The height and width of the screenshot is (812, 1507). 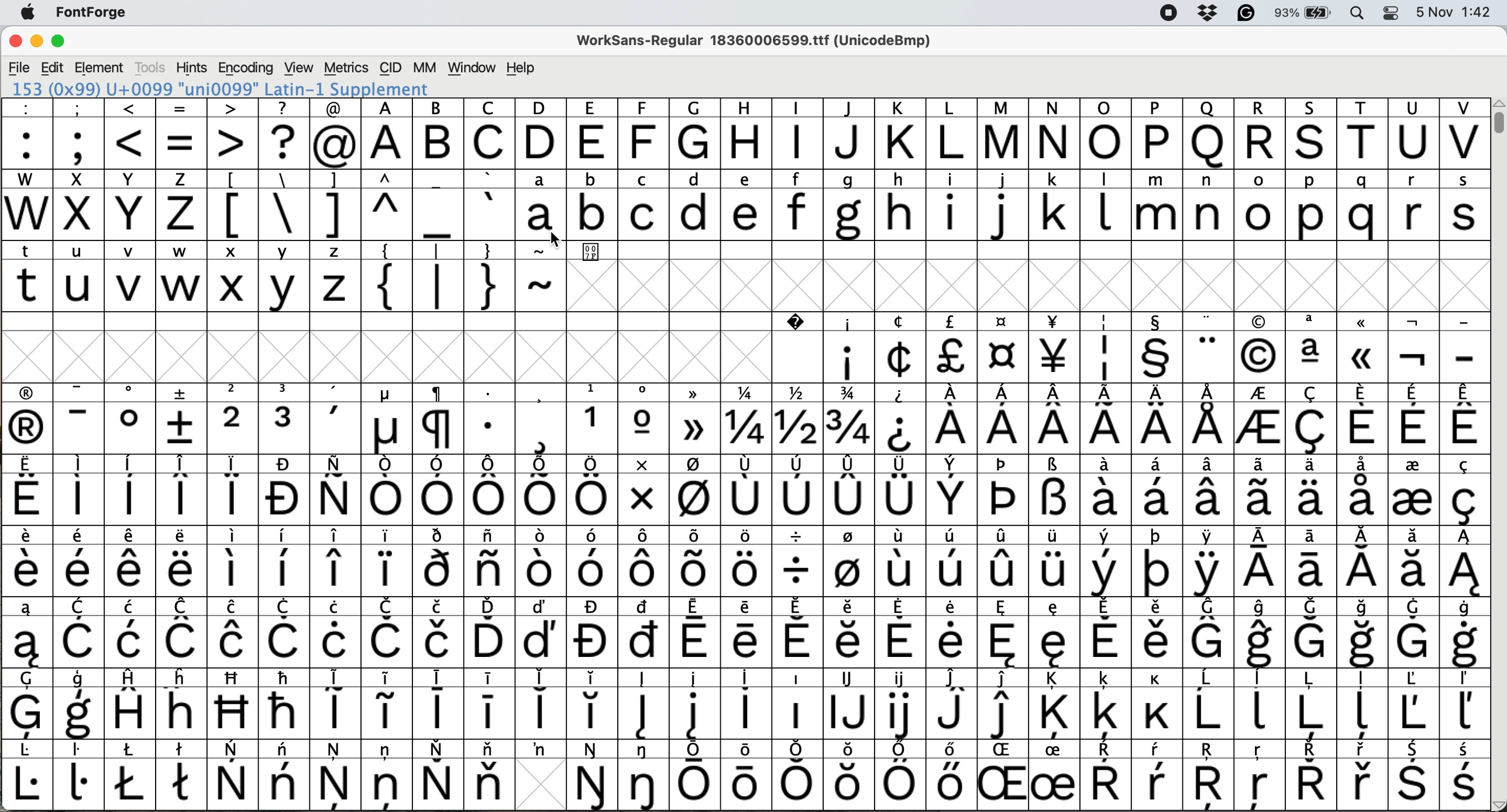 What do you see at coordinates (130, 418) in the screenshot?
I see `symbol` at bounding box center [130, 418].